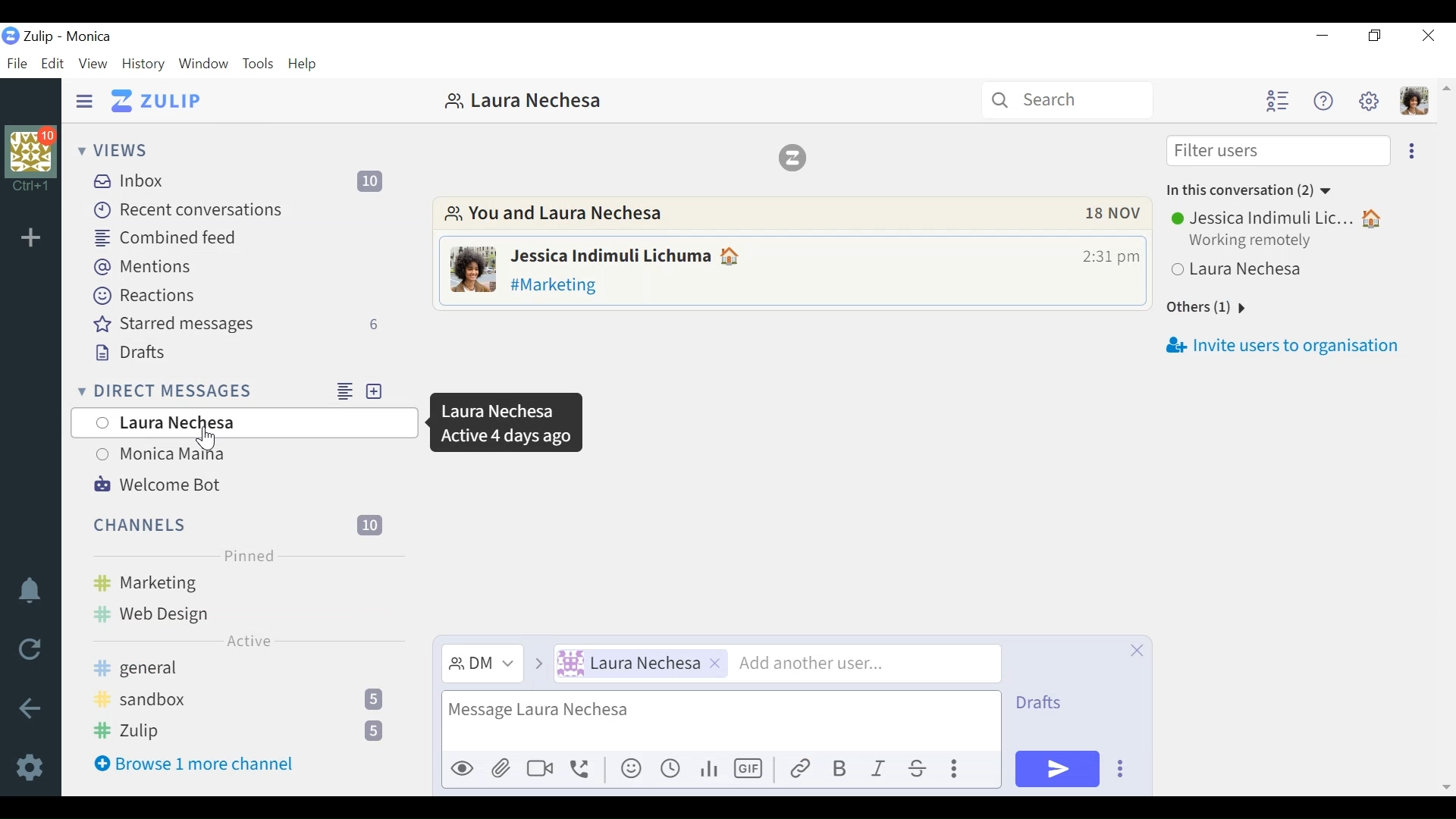 This screenshot has height=819, width=1456. I want to click on Add another user, so click(867, 664).